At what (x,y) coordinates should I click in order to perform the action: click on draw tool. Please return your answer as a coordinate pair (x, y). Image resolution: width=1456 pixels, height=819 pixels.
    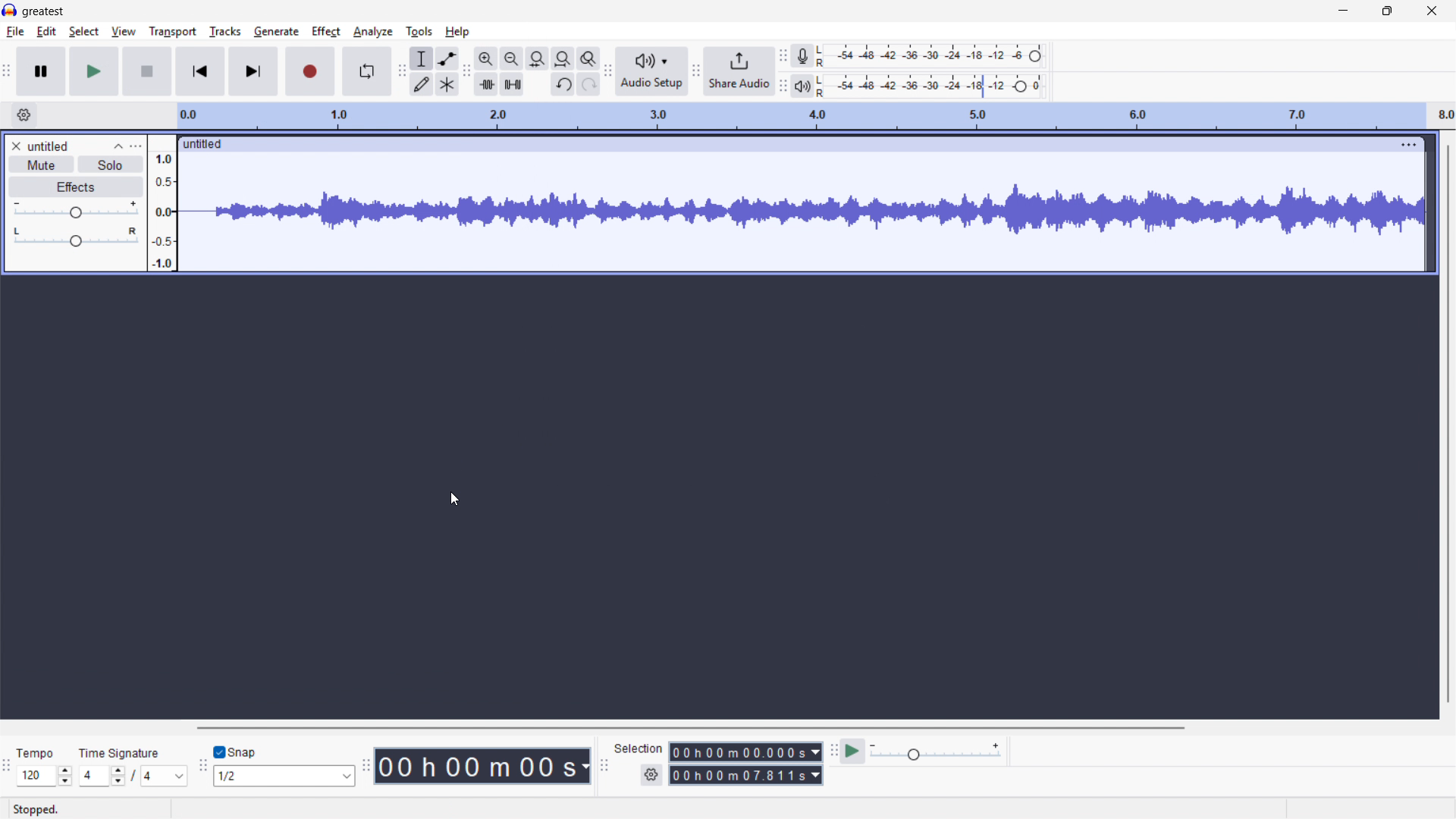
    Looking at the image, I should click on (422, 83).